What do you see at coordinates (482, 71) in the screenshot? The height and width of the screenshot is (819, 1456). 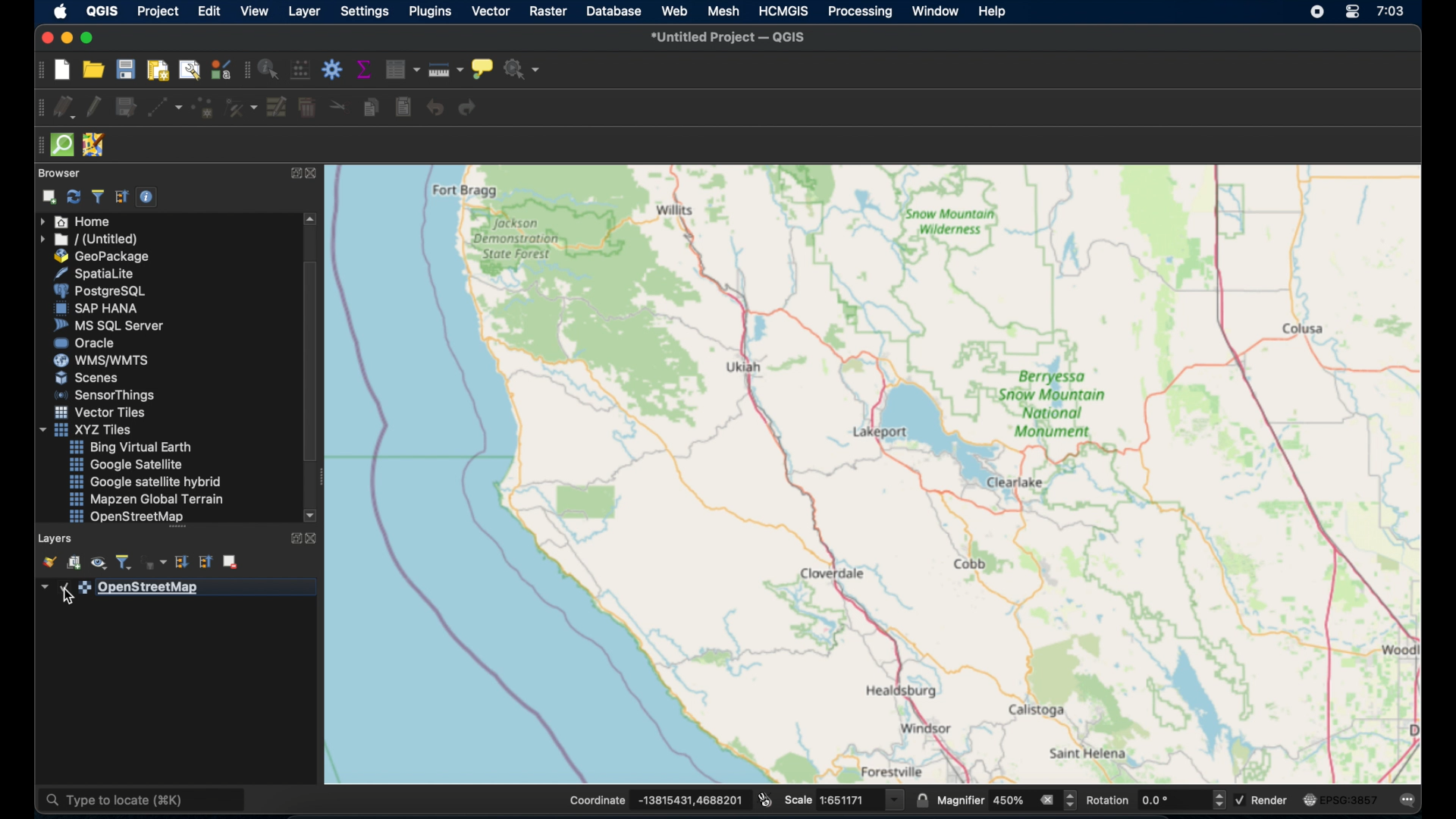 I see `show map tips` at bounding box center [482, 71].